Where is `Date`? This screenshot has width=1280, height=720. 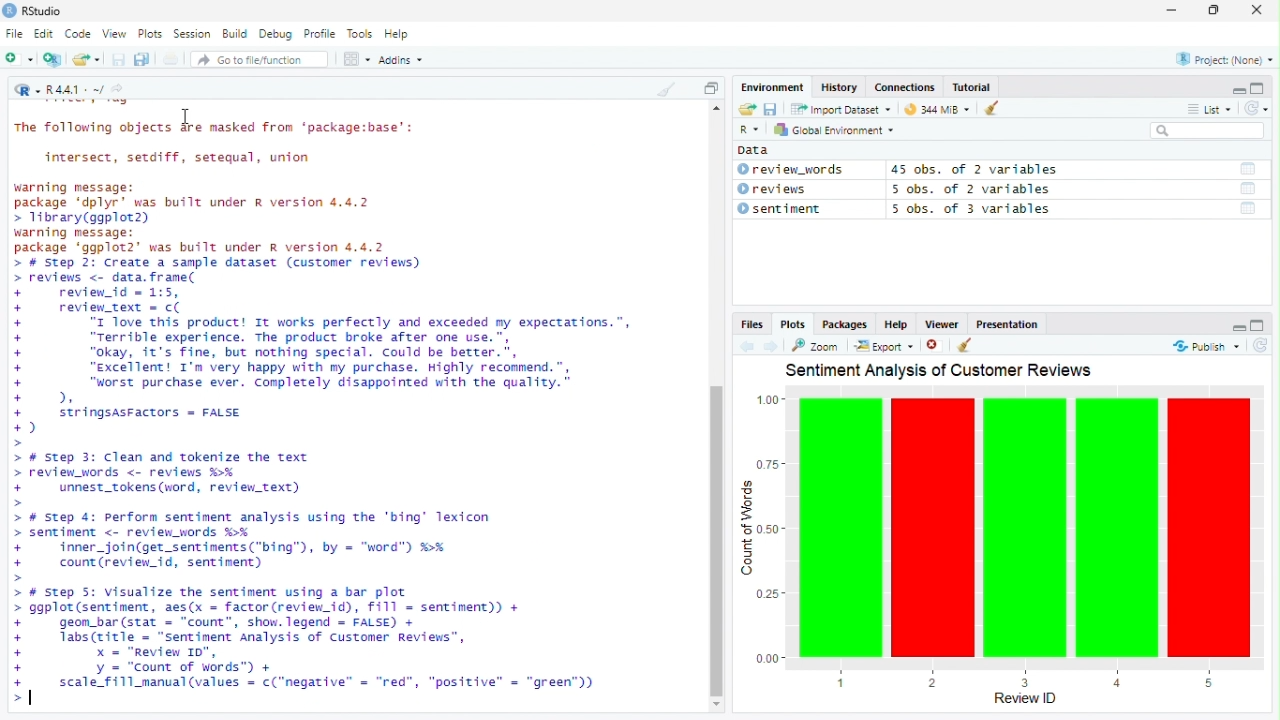 Date is located at coordinates (1251, 211).